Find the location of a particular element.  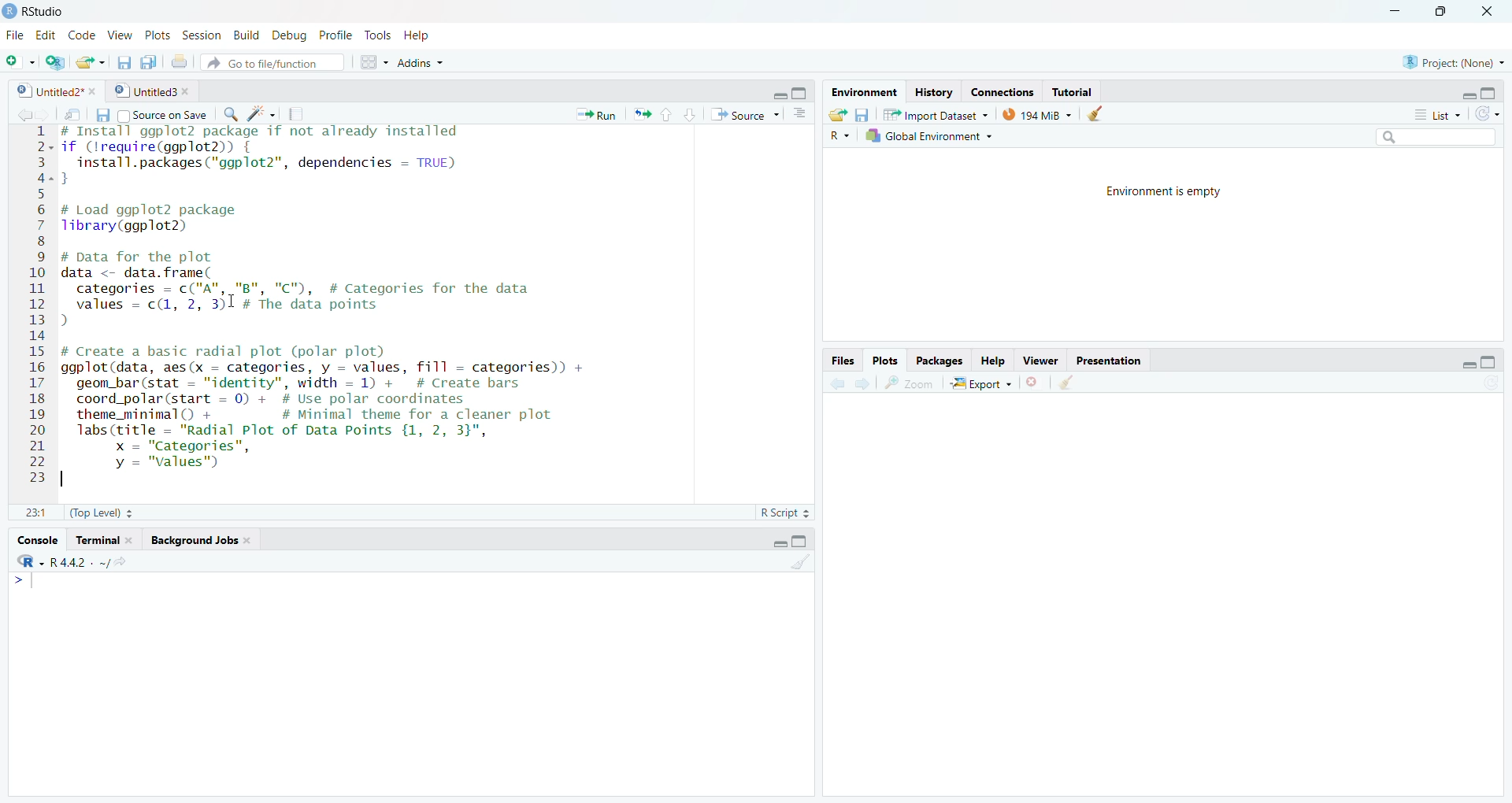

View is located at coordinates (117, 36).